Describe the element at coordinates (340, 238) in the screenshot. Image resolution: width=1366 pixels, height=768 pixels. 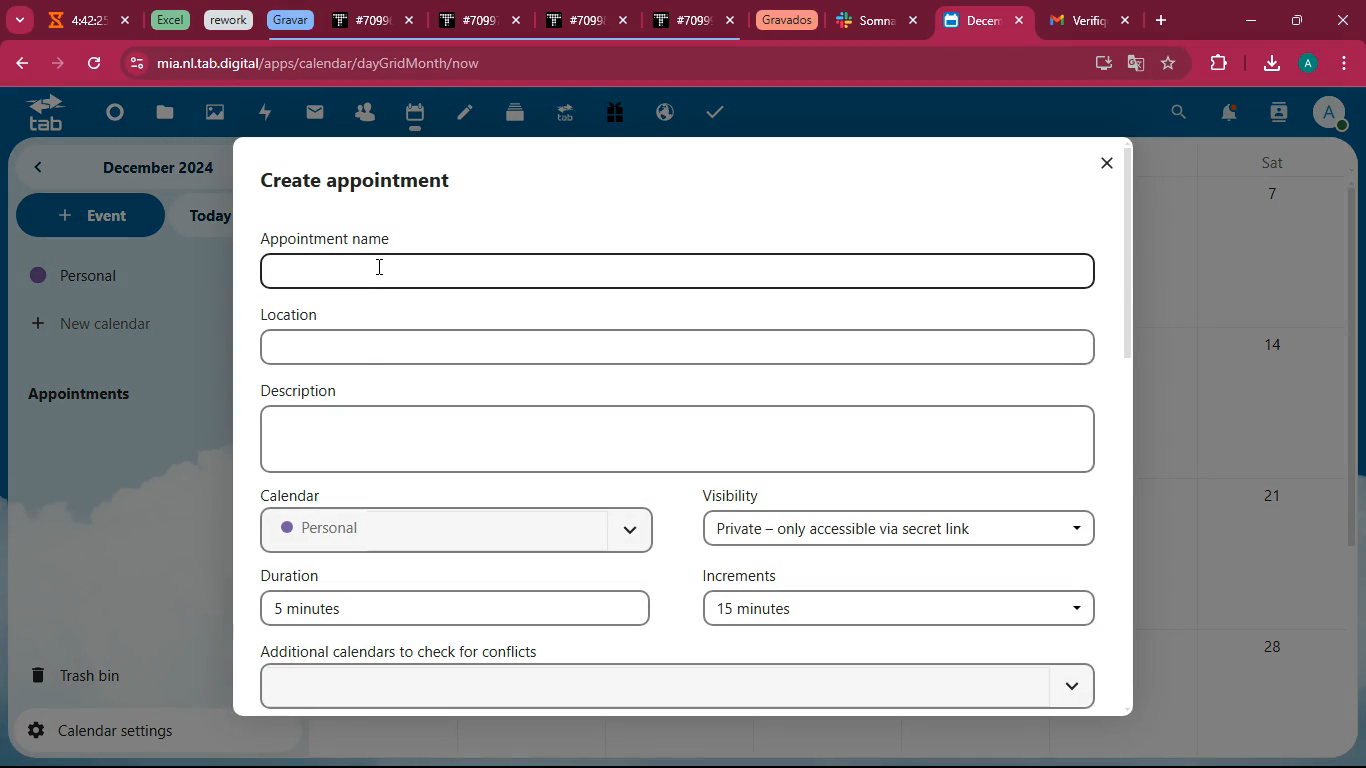
I see `appointment name` at that location.